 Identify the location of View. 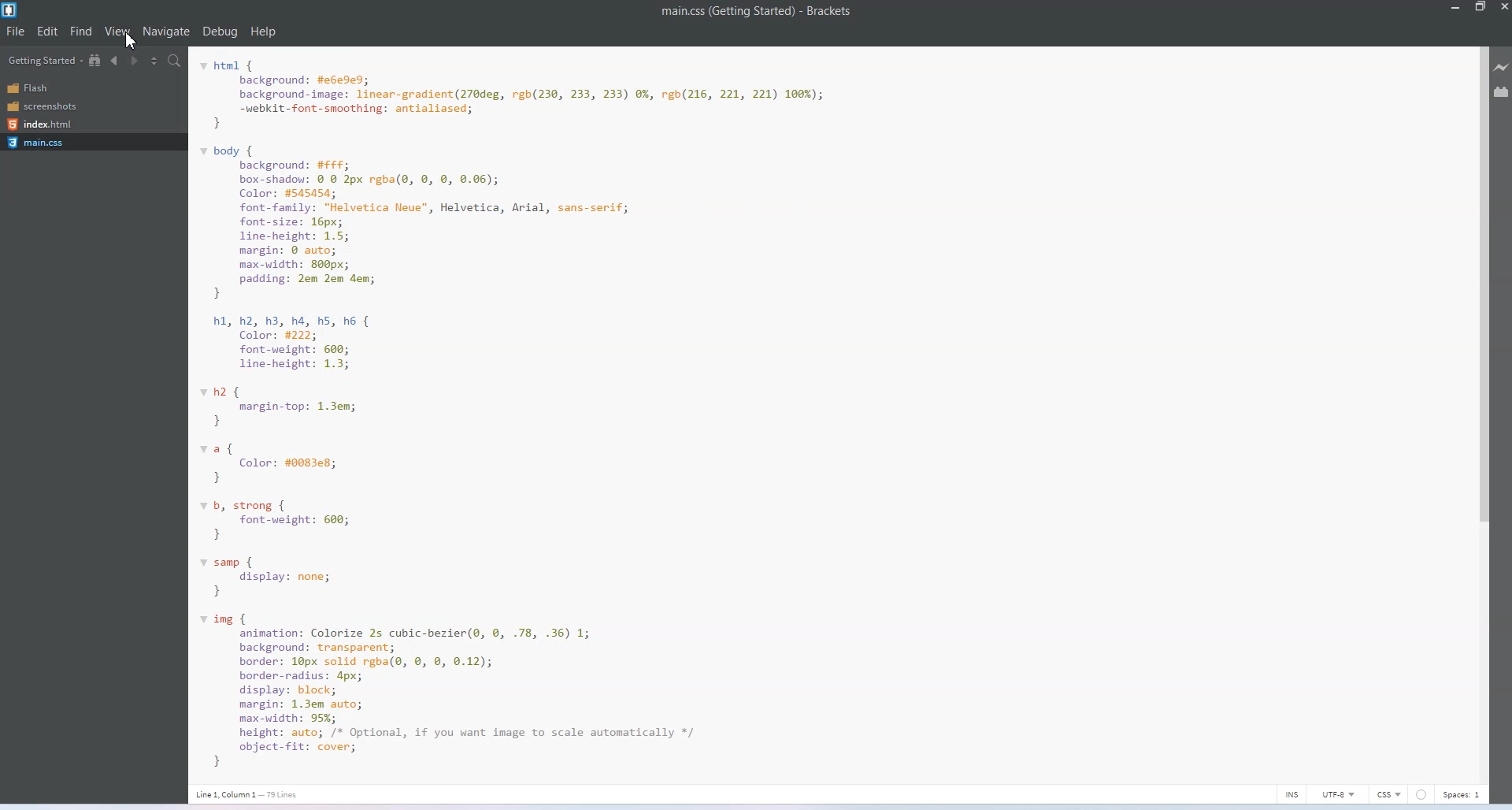
(119, 31).